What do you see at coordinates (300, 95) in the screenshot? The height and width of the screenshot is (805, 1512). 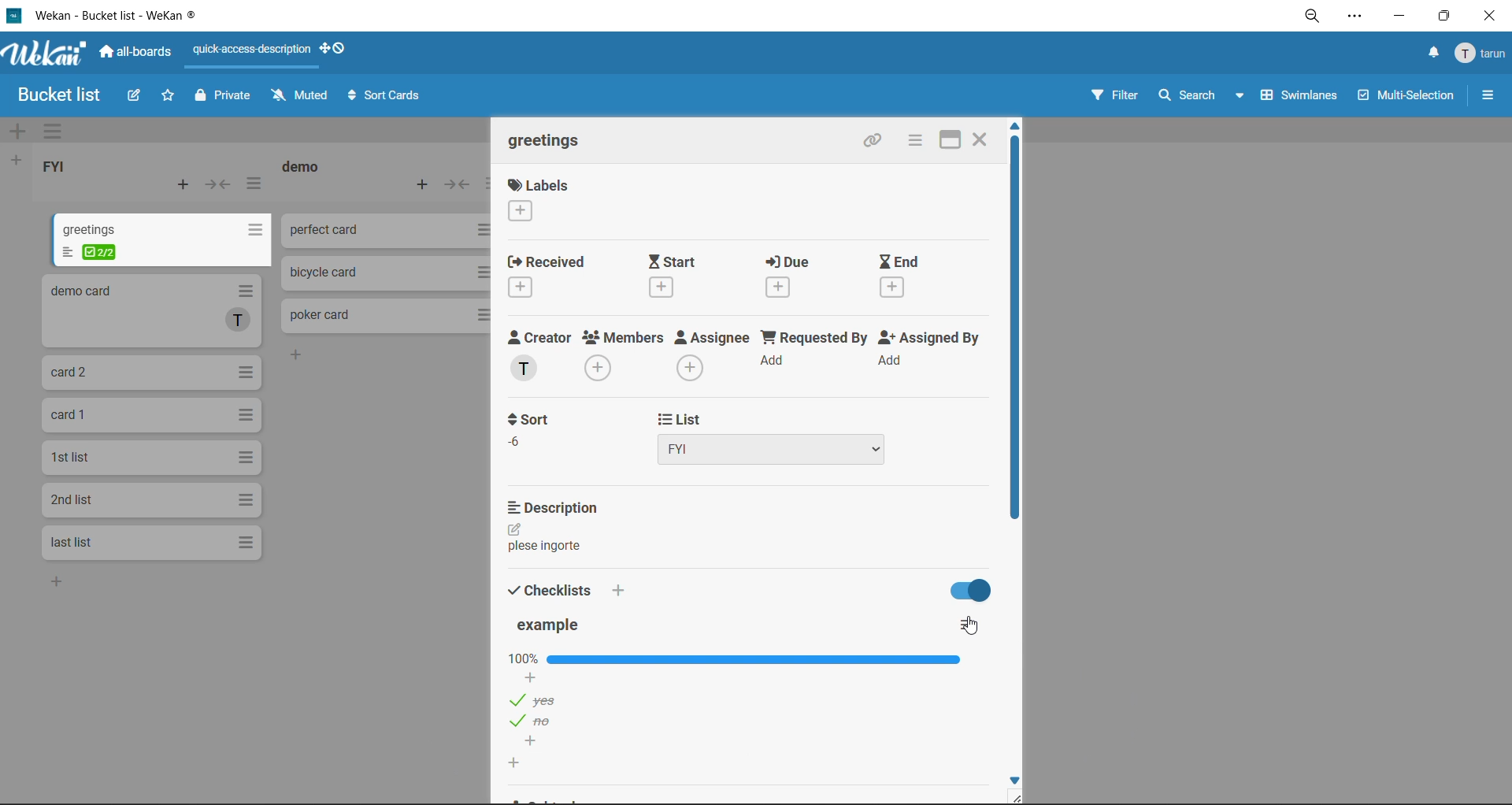 I see `muted` at bounding box center [300, 95].